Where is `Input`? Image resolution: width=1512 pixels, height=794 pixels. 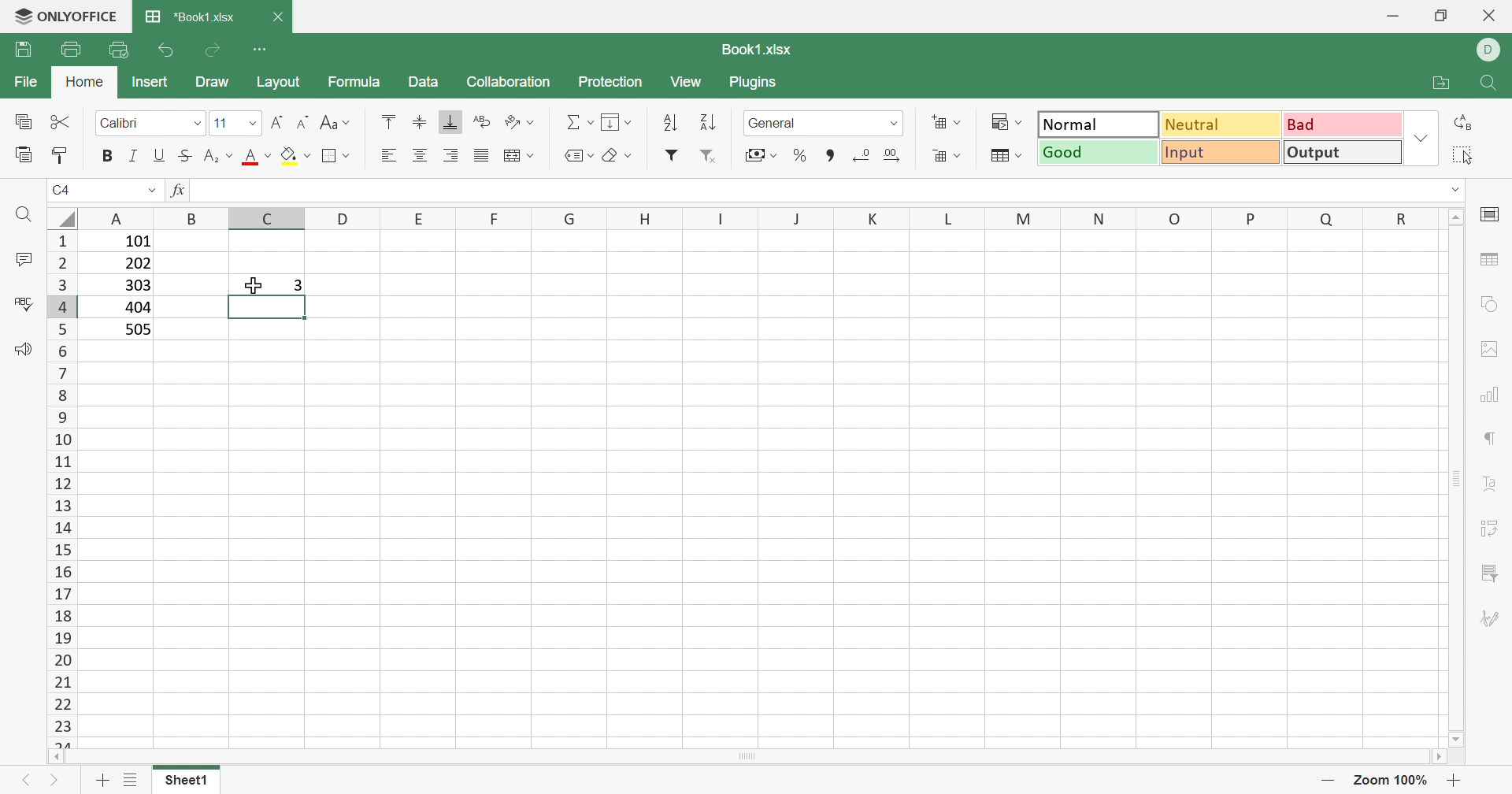 Input is located at coordinates (1220, 153).